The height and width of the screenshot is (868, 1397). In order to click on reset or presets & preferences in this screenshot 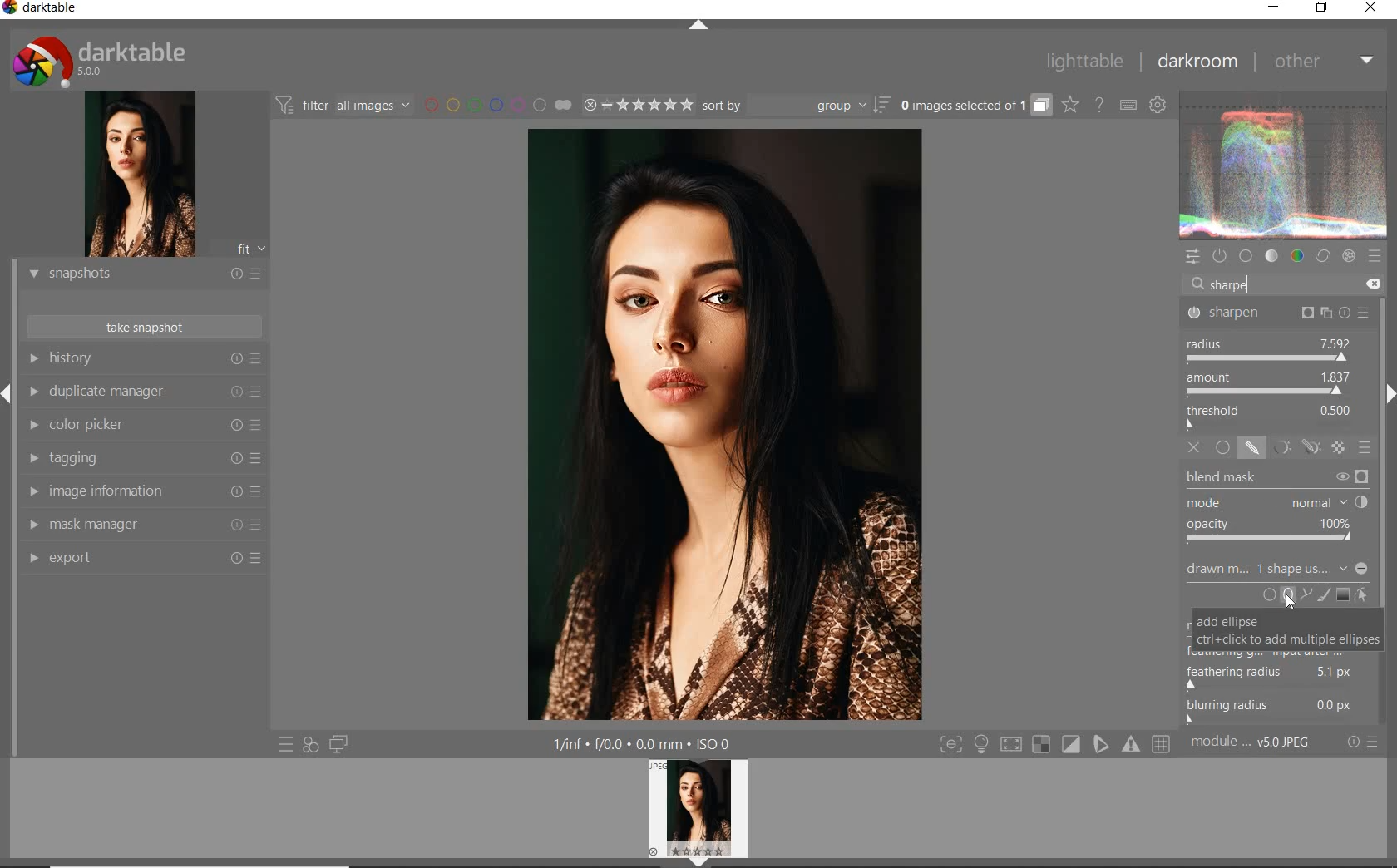, I will do `click(1363, 745)`.